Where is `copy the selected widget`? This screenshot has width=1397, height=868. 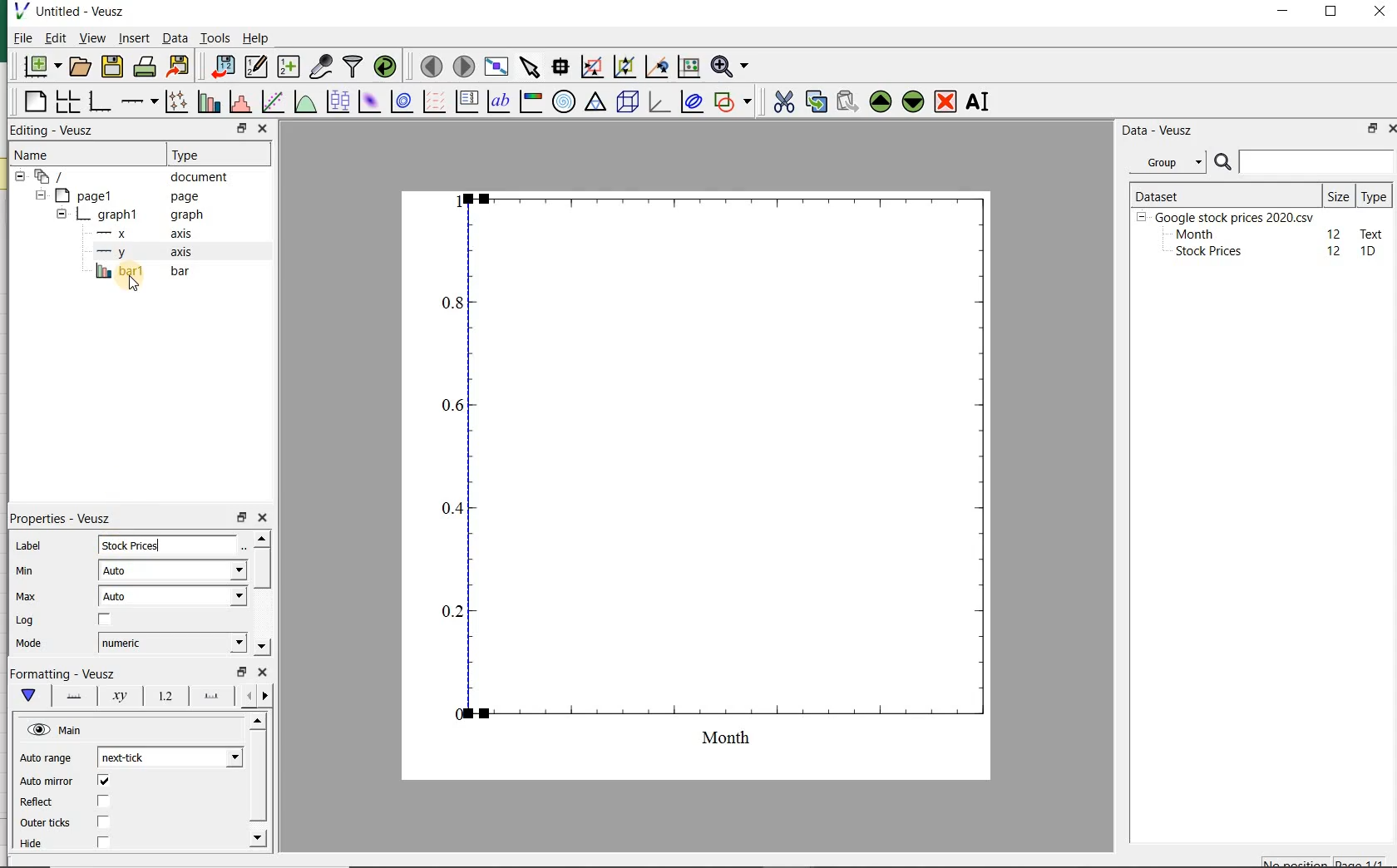 copy the selected widget is located at coordinates (815, 102).